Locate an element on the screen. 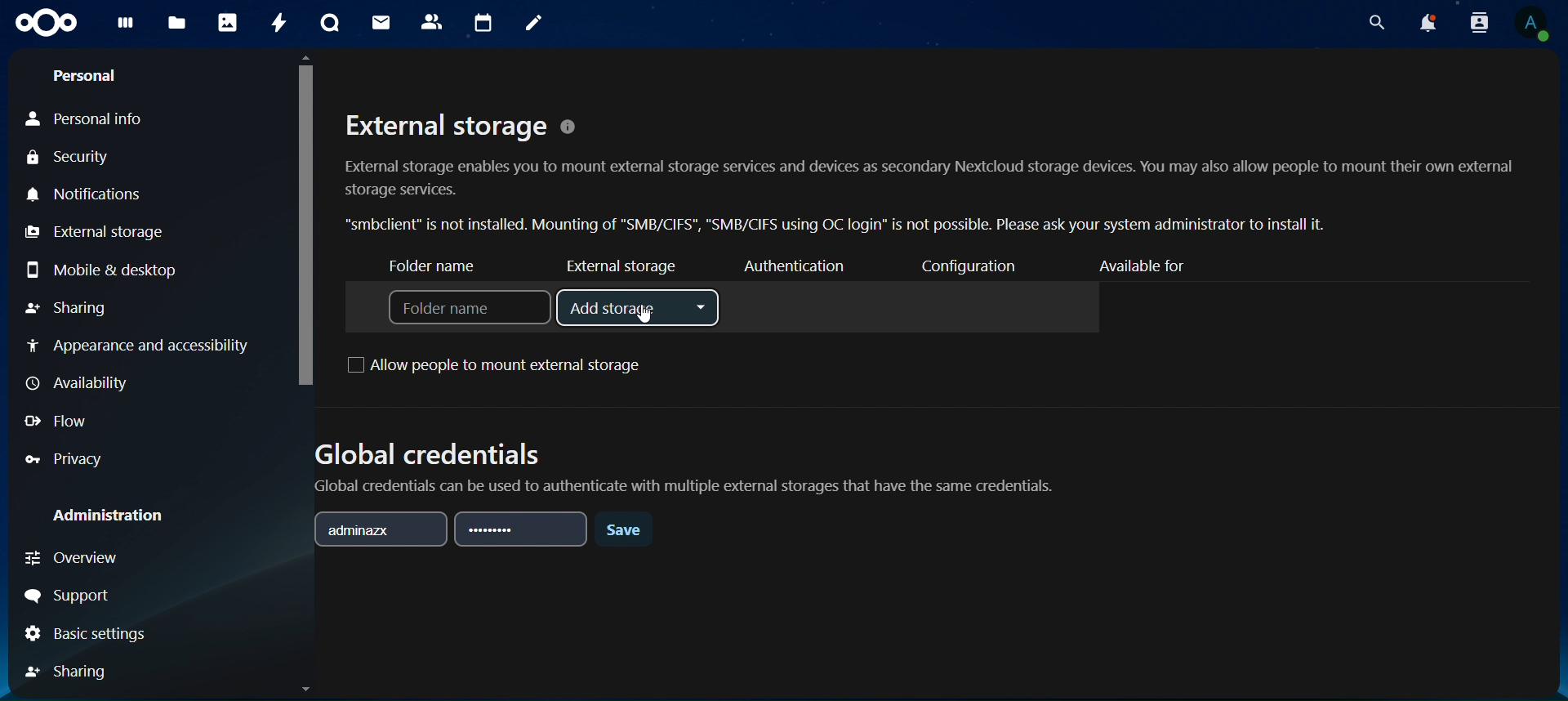  privacy is located at coordinates (64, 458).